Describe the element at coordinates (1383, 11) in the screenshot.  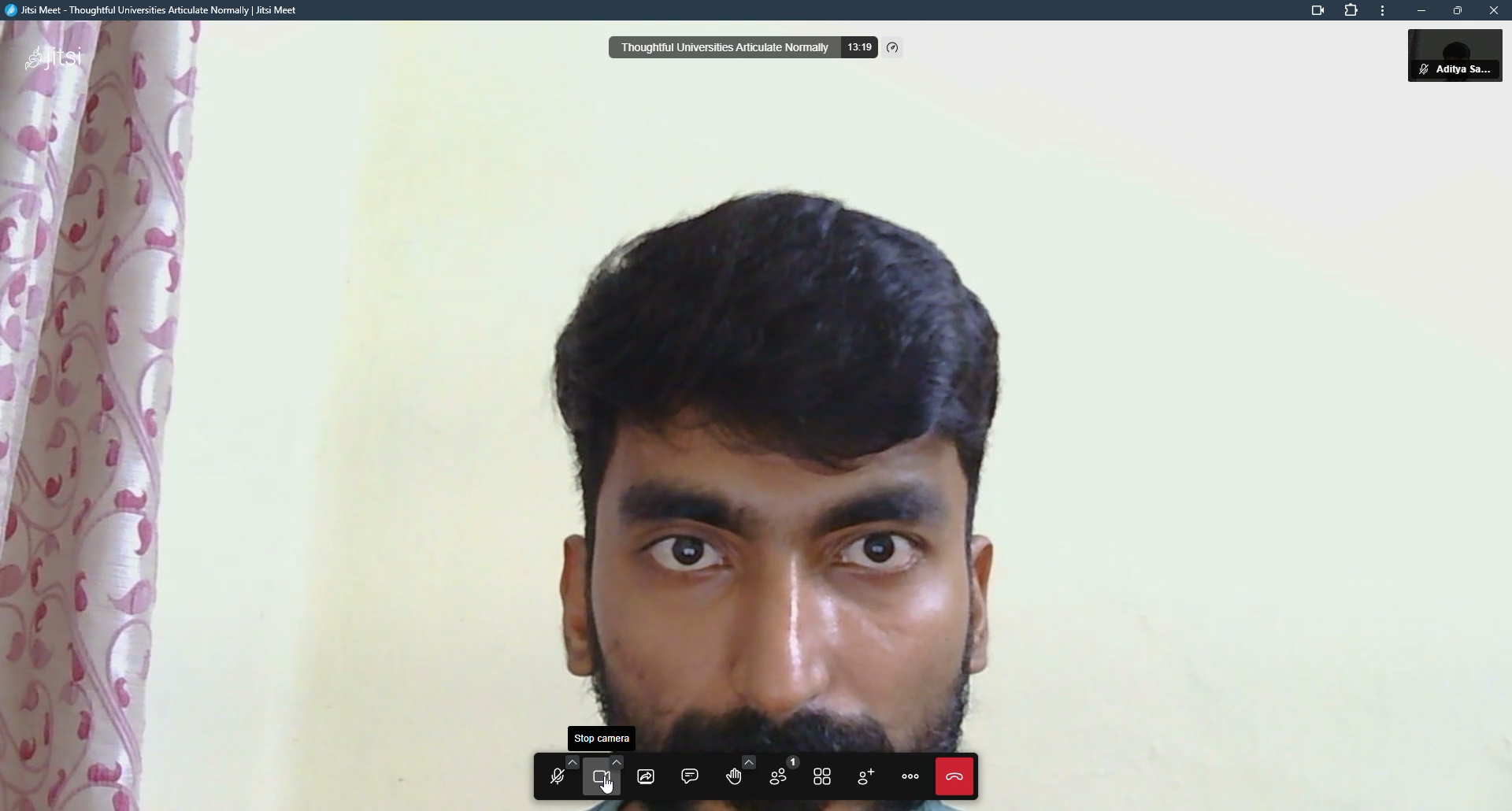
I see `more` at that location.